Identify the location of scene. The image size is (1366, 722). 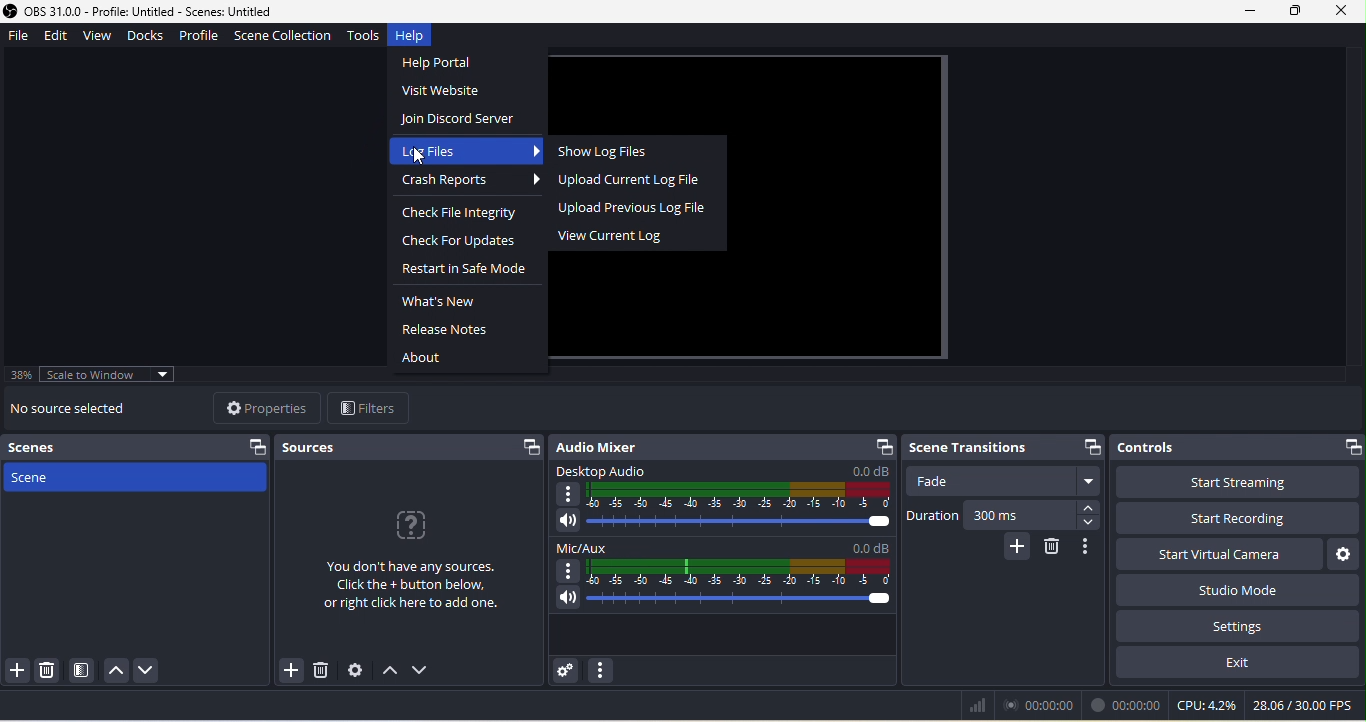
(136, 482).